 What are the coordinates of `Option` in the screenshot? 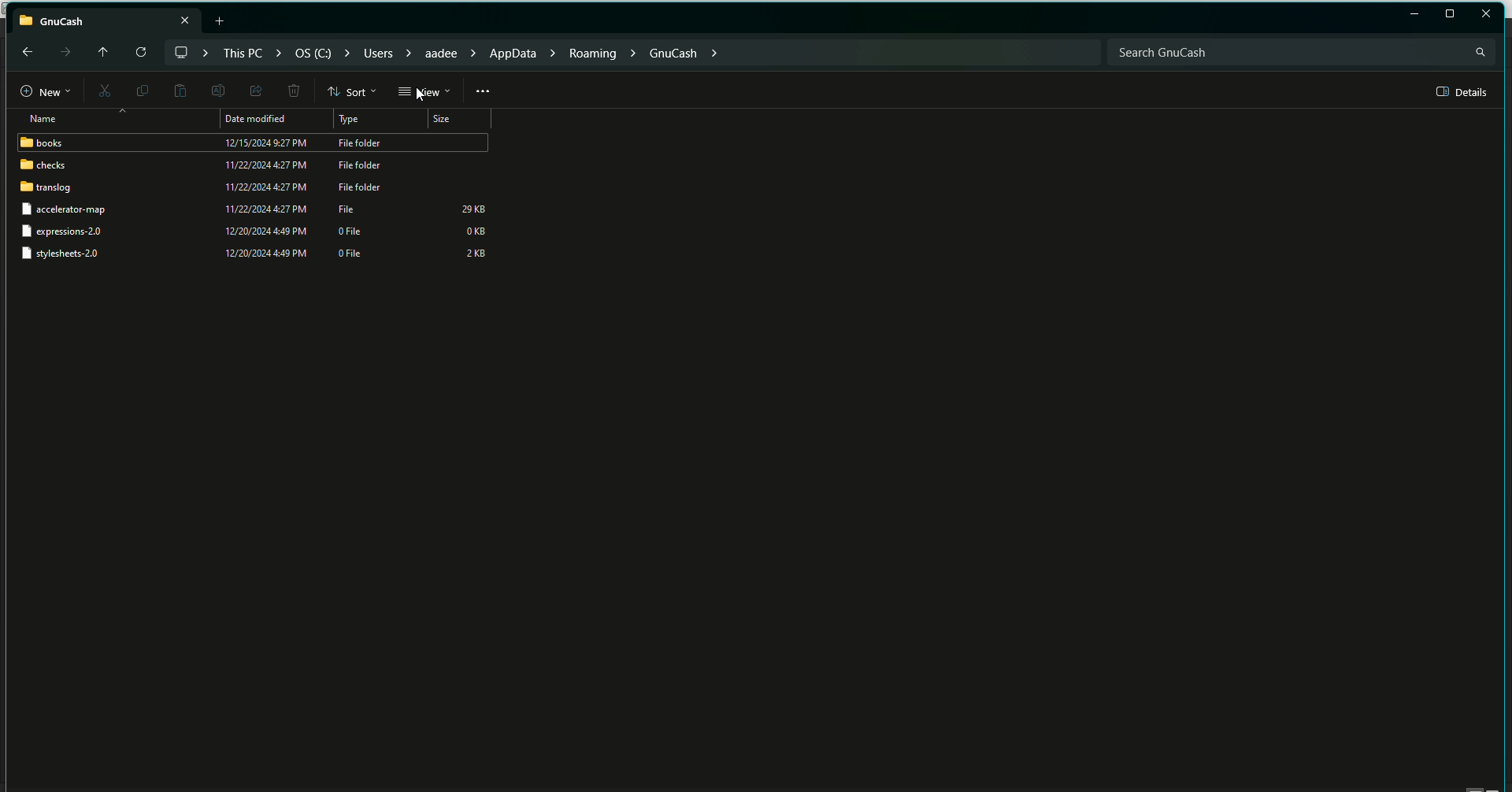 It's located at (484, 91).